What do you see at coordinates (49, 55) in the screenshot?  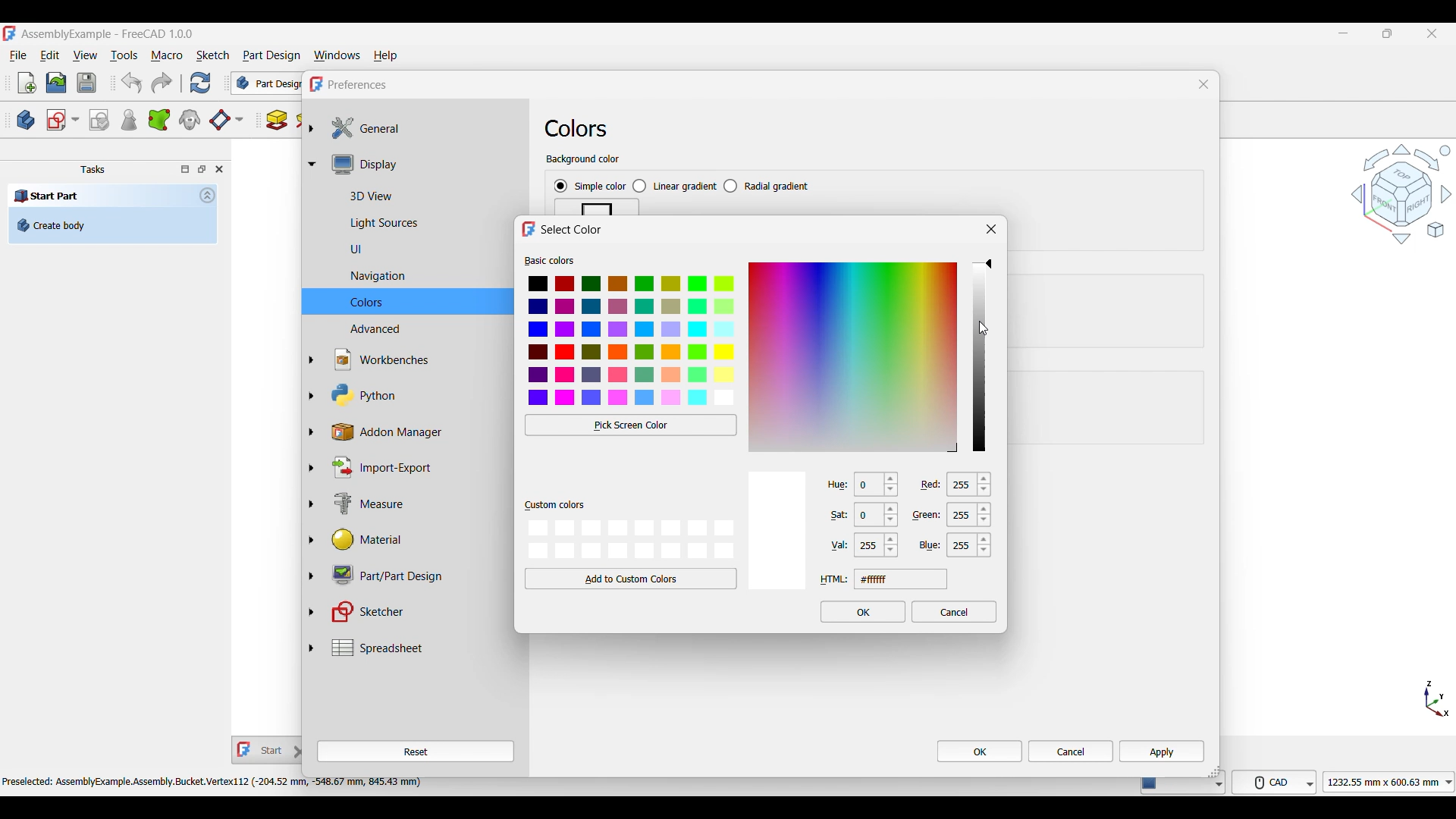 I see `Edit menu` at bounding box center [49, 55].